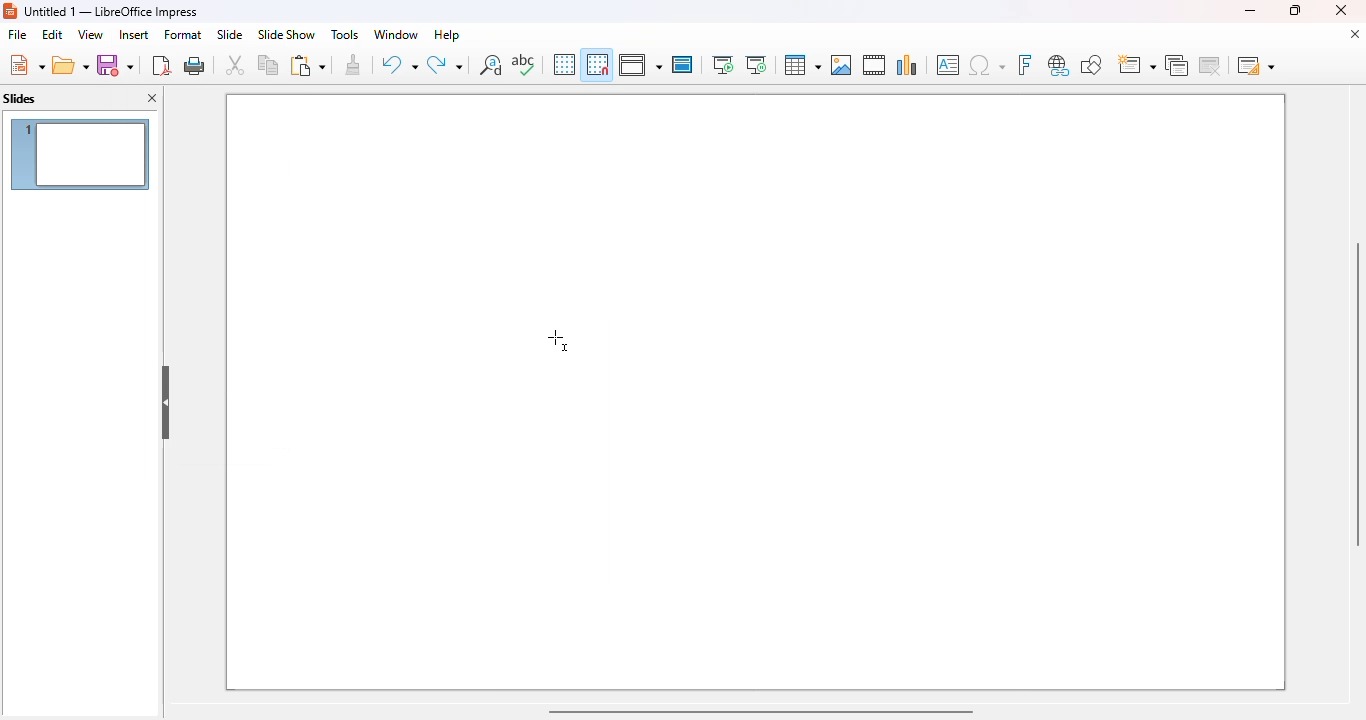  Describe the element at coordinates (166, 403) in the screenshot. I see `hide` at that location.